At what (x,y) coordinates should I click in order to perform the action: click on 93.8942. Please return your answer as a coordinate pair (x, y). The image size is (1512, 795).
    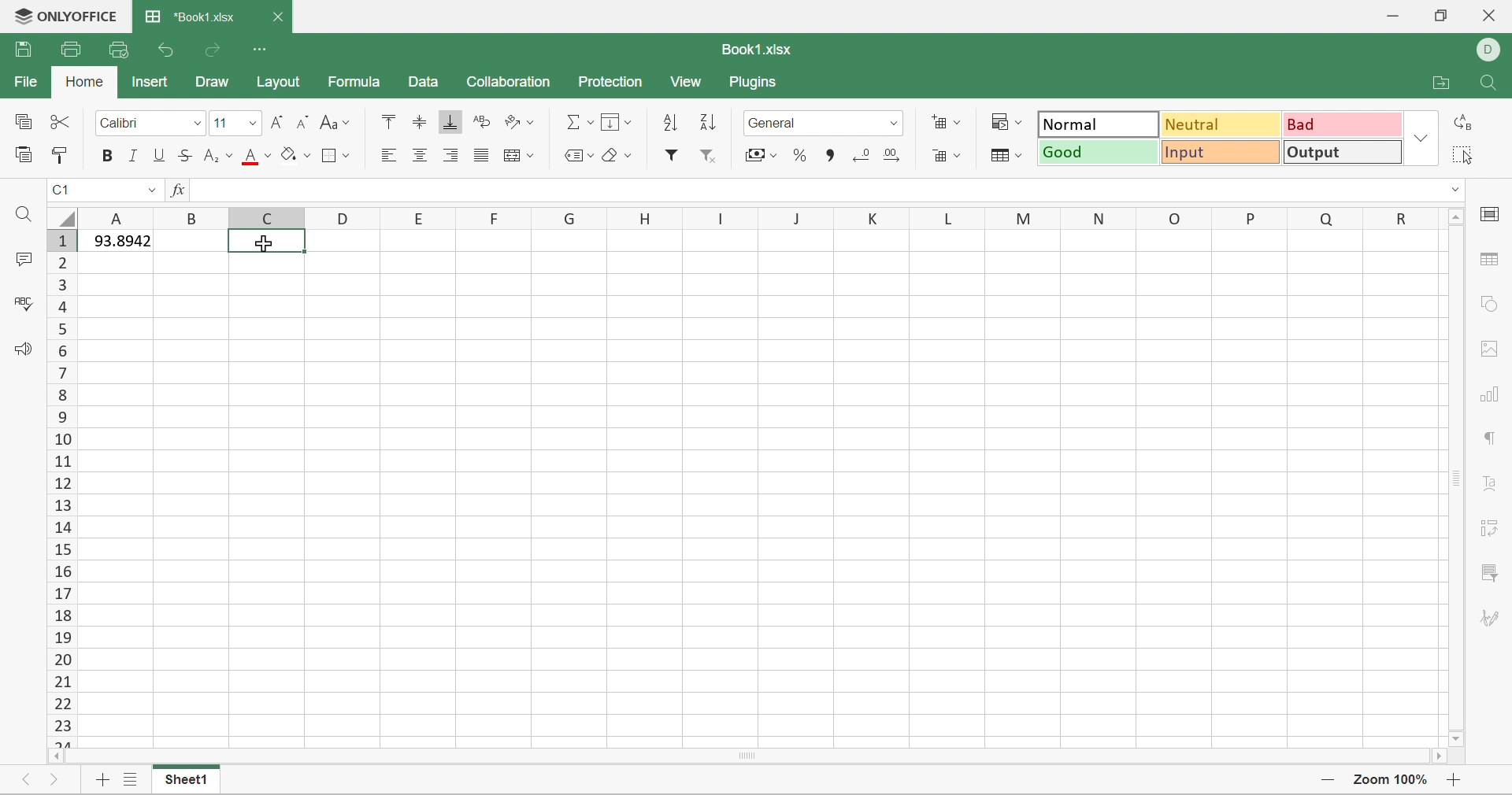
    Looking at the image, I should click on (118, 238).